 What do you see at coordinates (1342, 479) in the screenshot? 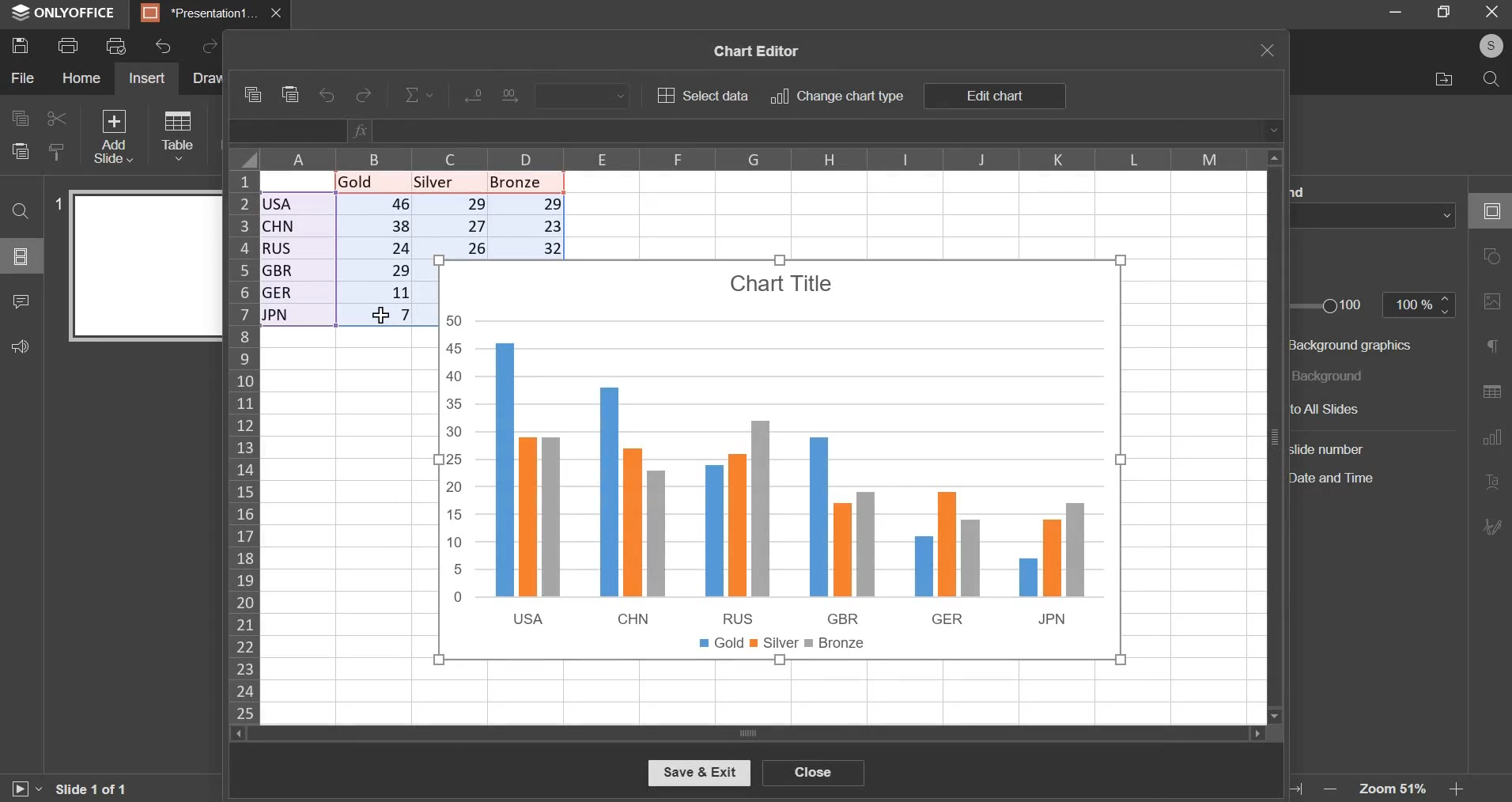
I see `date and time` at bounding box center [1342, 479].